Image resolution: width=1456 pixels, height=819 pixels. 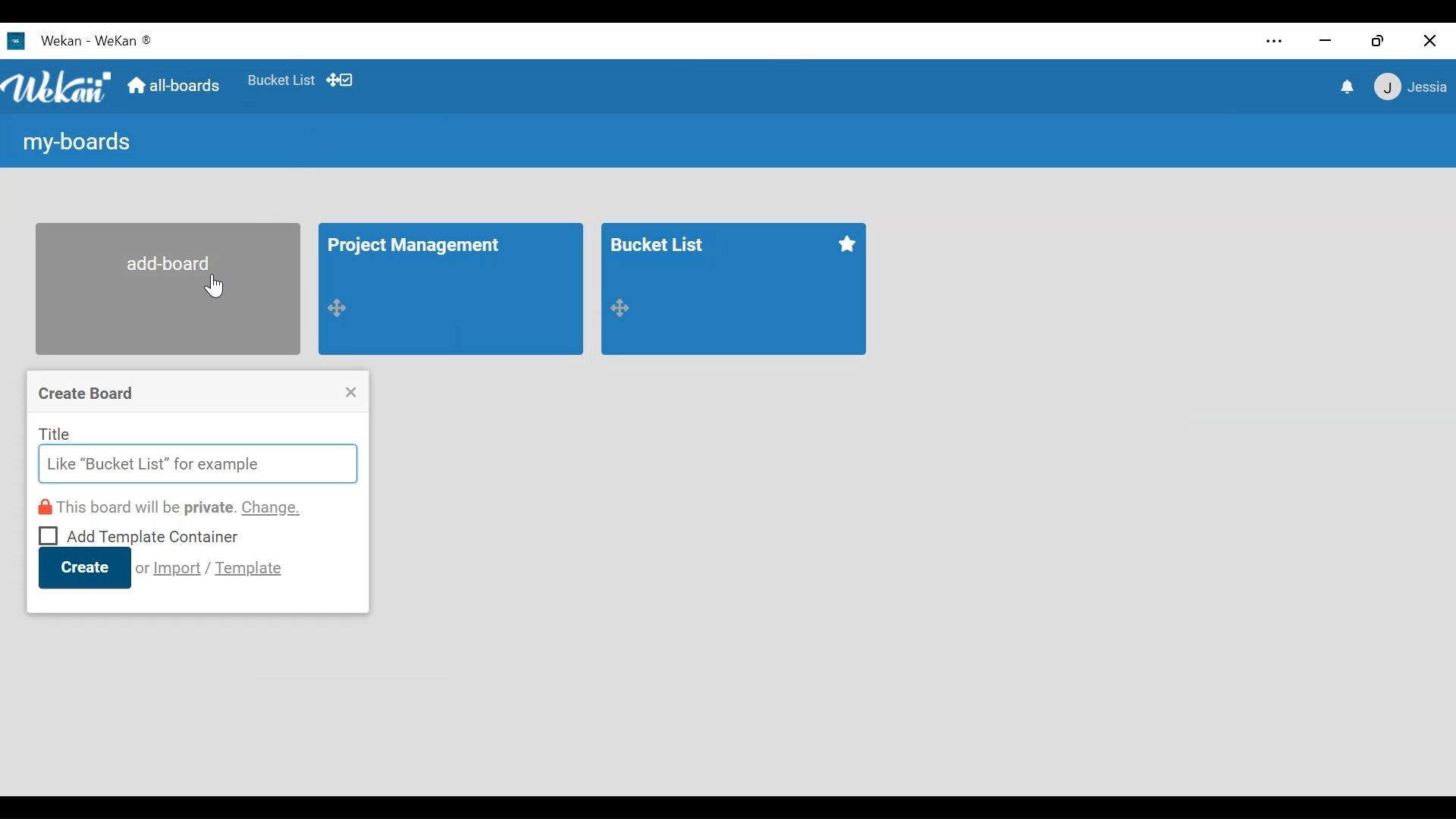 I want to click on Settings and more, so click(x=1273, y=42).